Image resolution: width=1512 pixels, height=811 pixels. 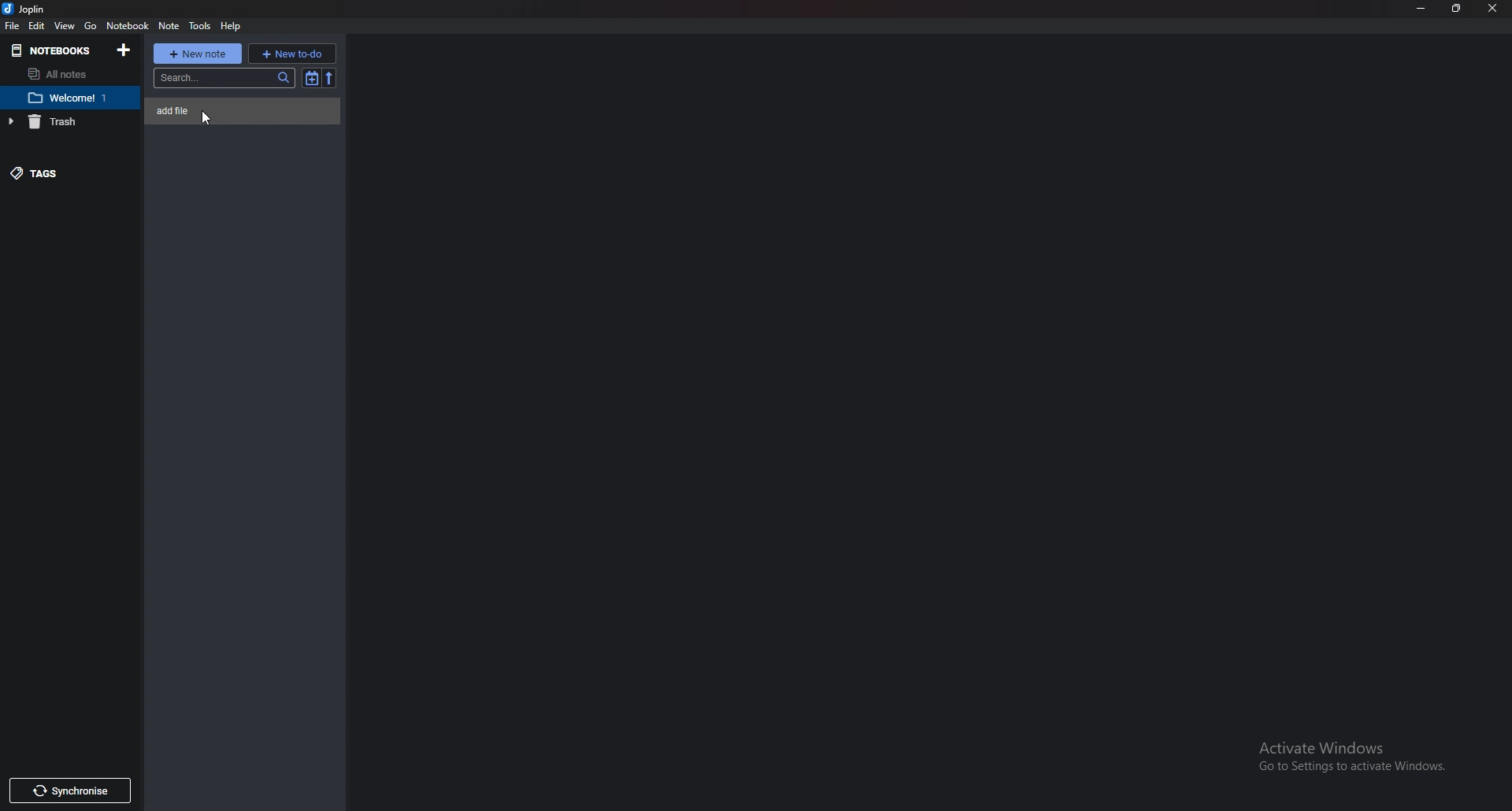 I want to click on Toggle sort order, so click(x=309, y=79).